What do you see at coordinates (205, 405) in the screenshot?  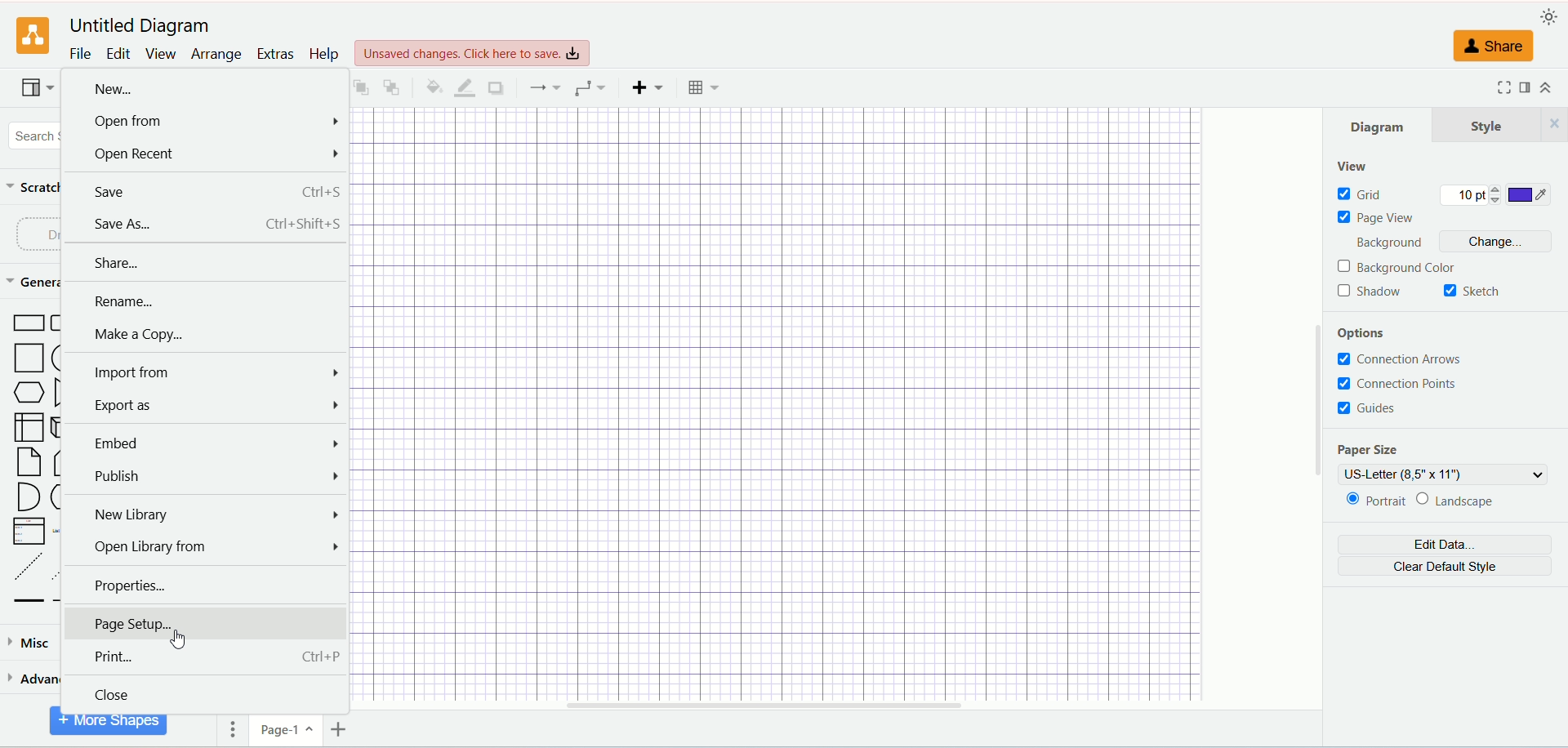 I see `export as` at bounding box center [205, 405].